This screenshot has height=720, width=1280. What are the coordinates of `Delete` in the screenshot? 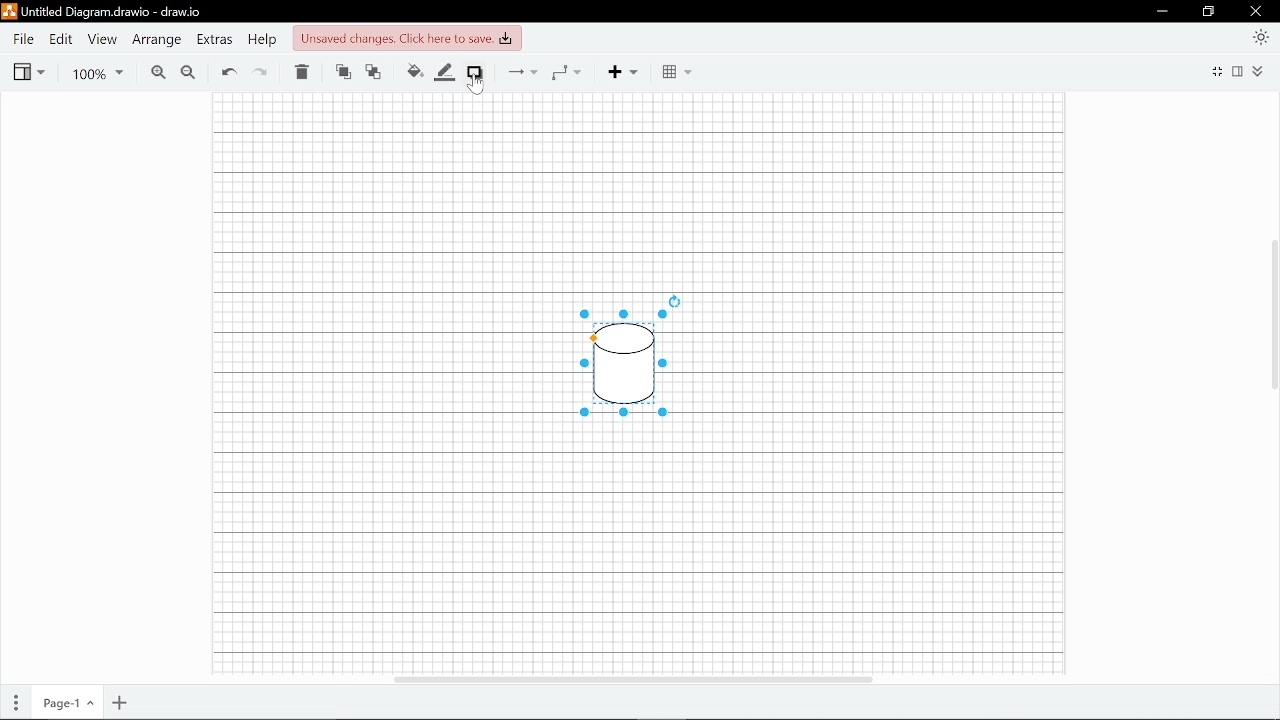 It's located at (301, 73).